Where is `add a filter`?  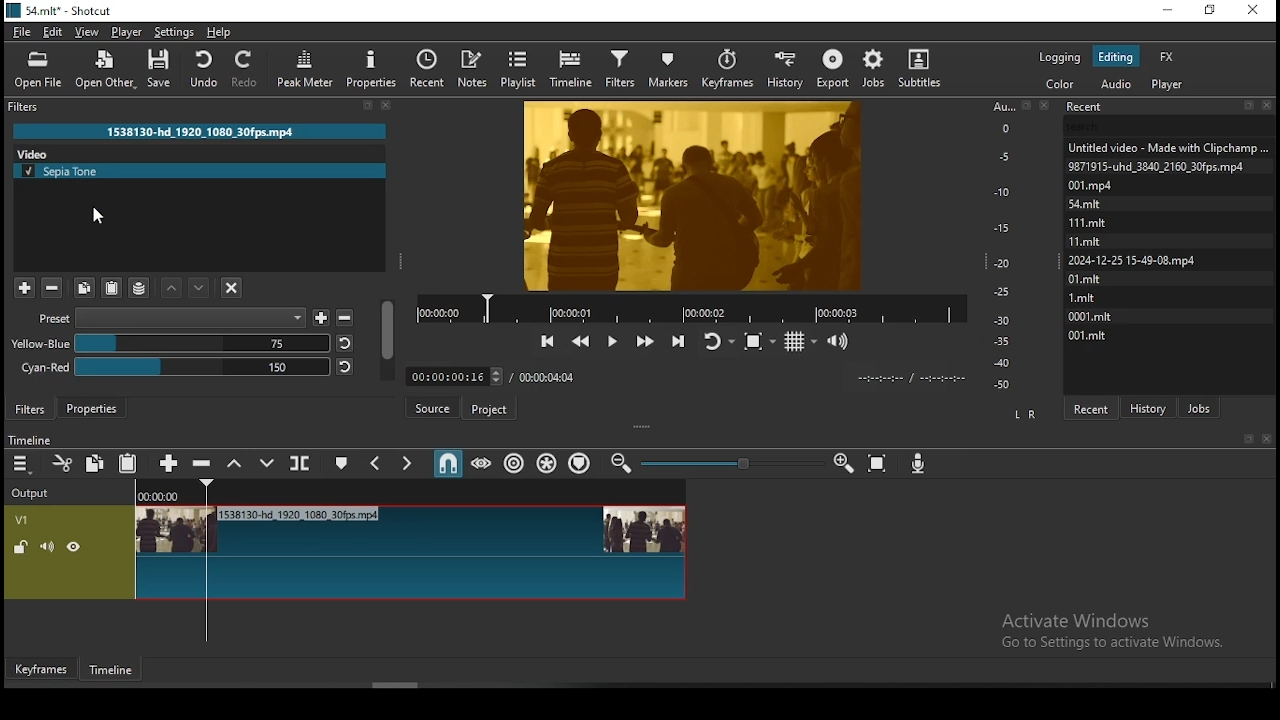 add a filter is located at coordinates (23, 288).